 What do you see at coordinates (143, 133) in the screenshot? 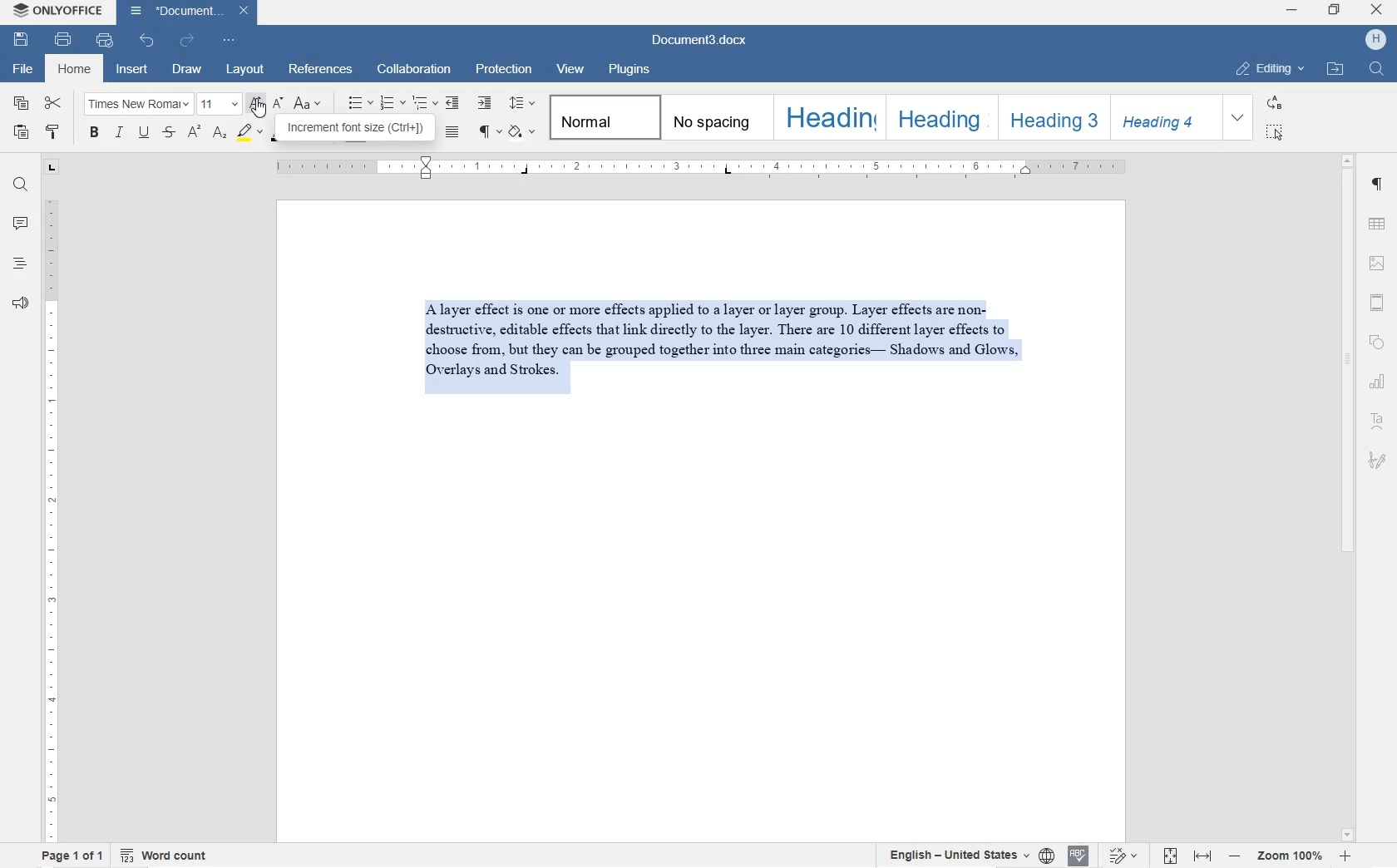
I see `UNDERLINE` at bounding box center [143, 133].